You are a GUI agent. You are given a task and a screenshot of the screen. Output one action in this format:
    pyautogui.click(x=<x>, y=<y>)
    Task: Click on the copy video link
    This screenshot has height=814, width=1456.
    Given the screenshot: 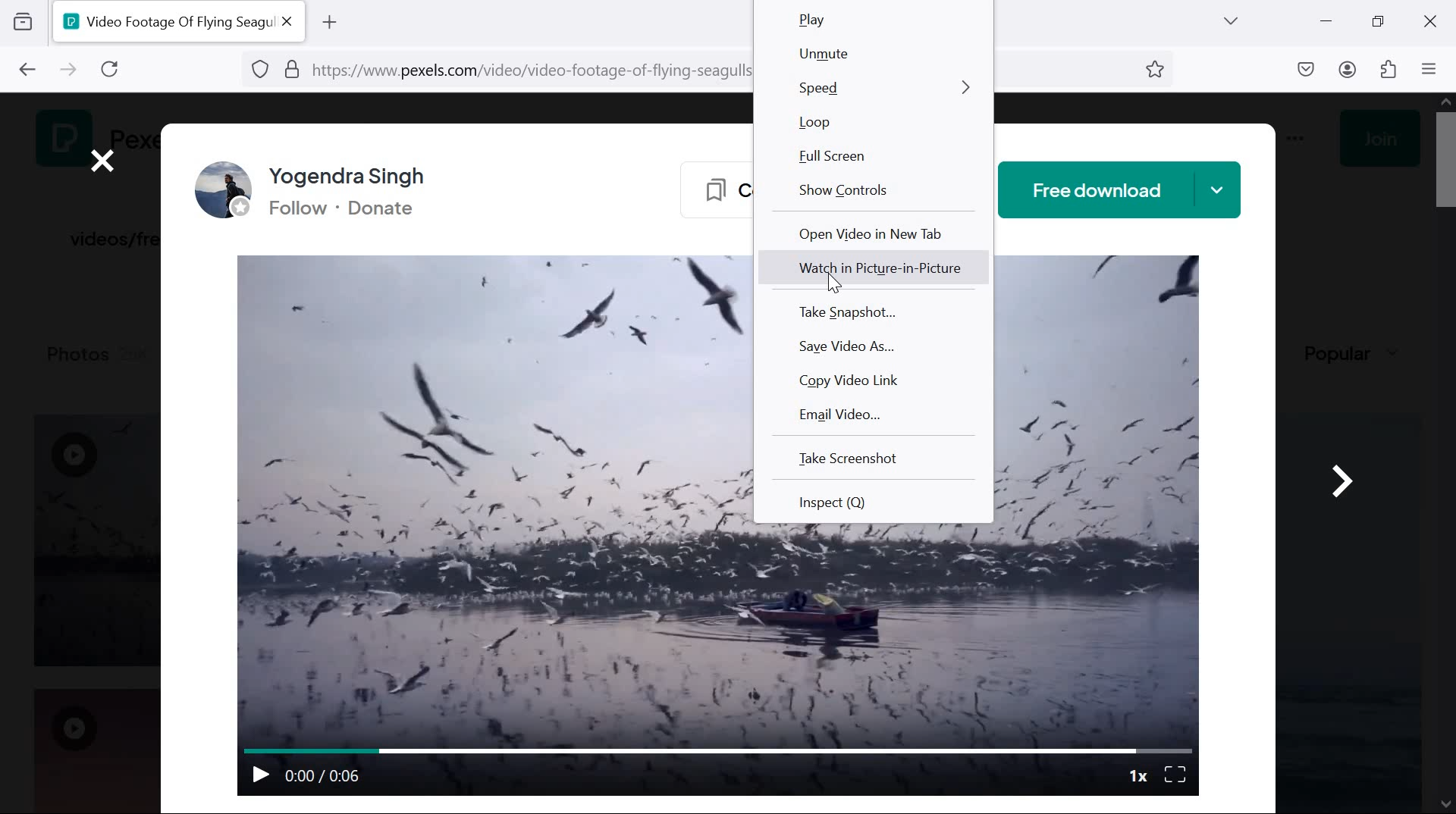 What is the action you would take?
    pyautogui.click(x=852, y=381)
    